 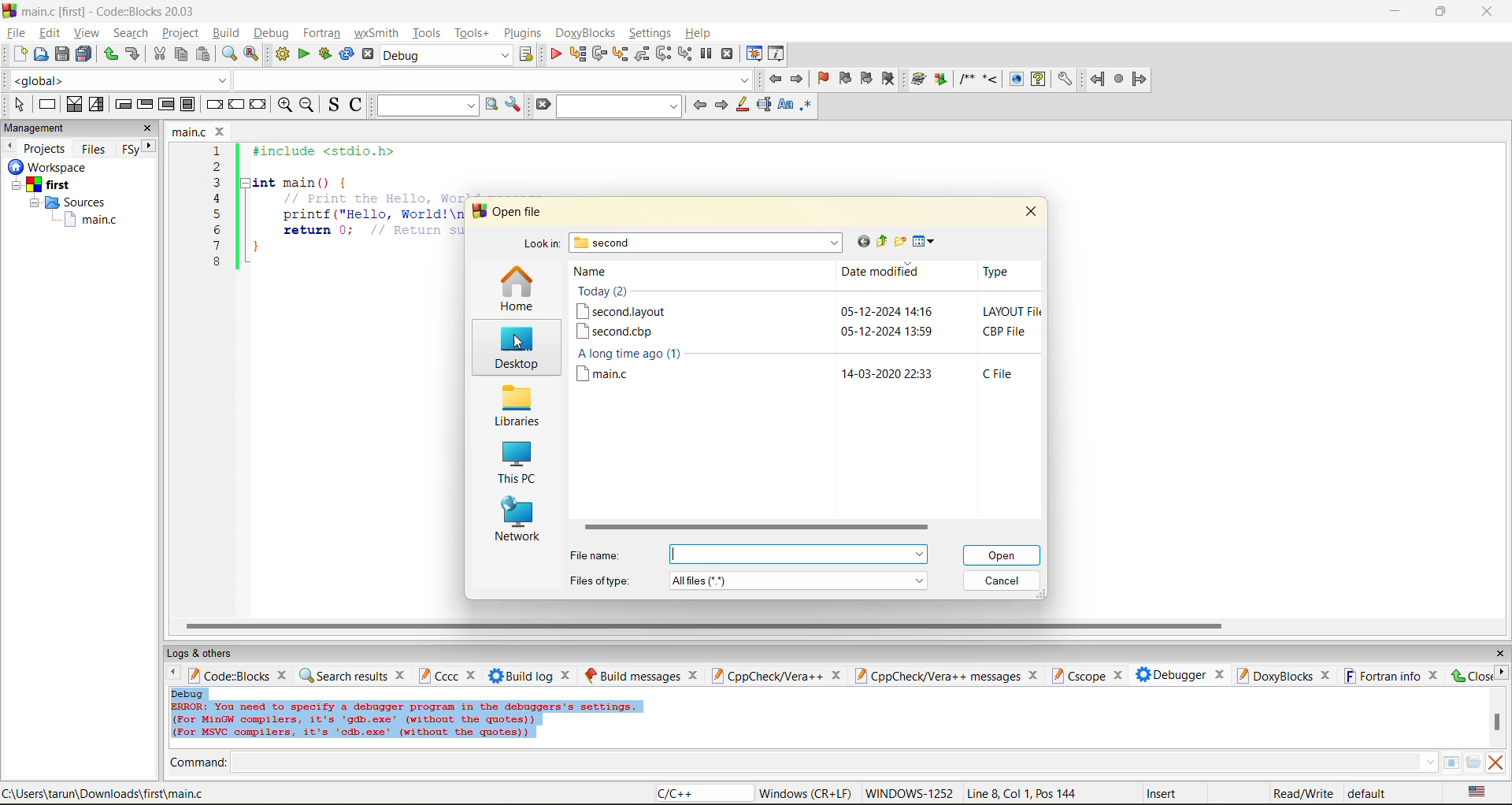 What do you see at coordinates (191, 132) in the screenshot?
I see `file name` at bounding box center [191, 132].